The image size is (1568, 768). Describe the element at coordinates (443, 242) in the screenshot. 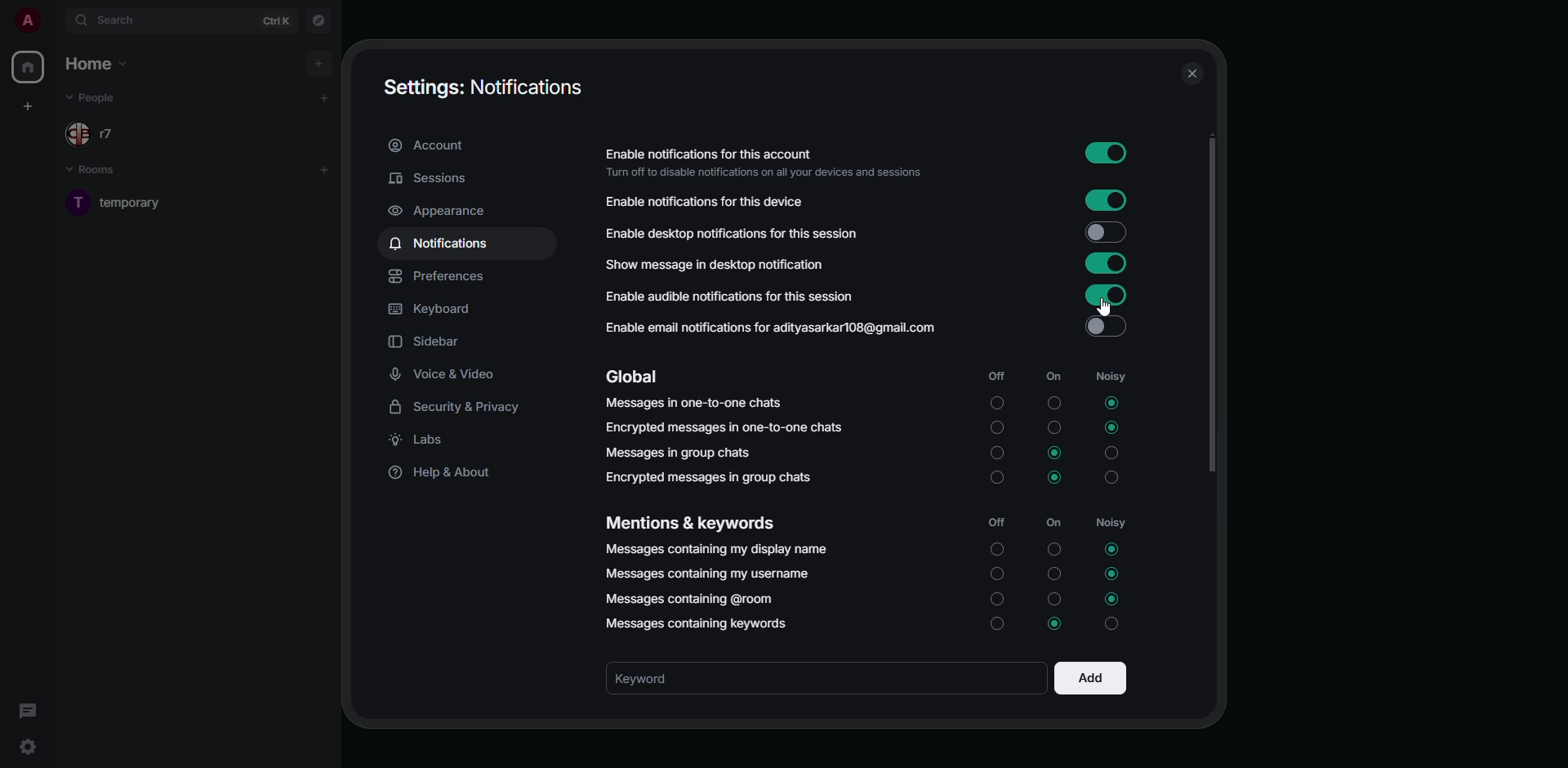

I see `notifications` at that location.